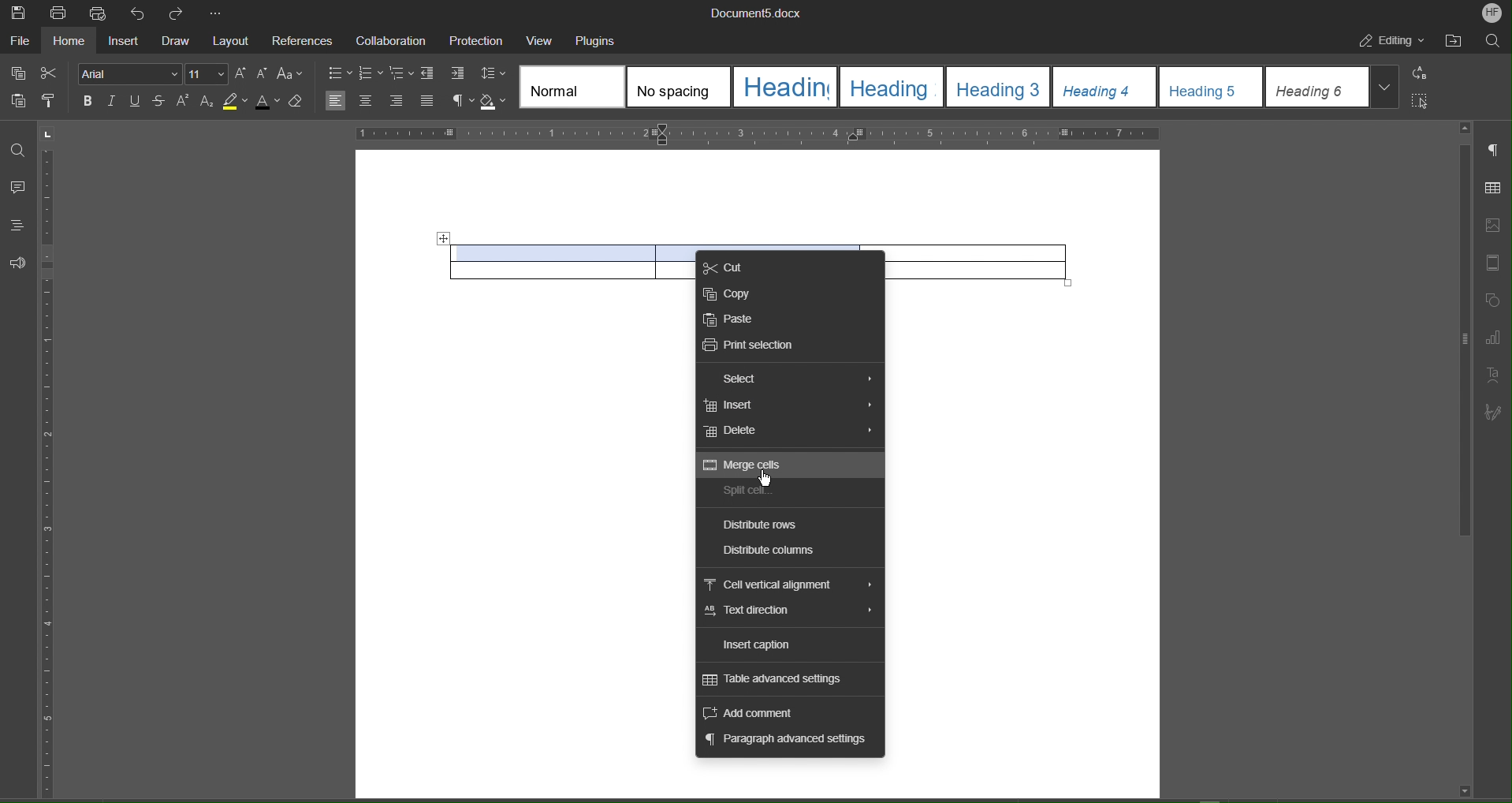 This screenshot has height=803, width=1512. What do you see at coordinates (292, 73) in the screenshot?
I see `Text Case Settings` at bounding box center [292, 73].